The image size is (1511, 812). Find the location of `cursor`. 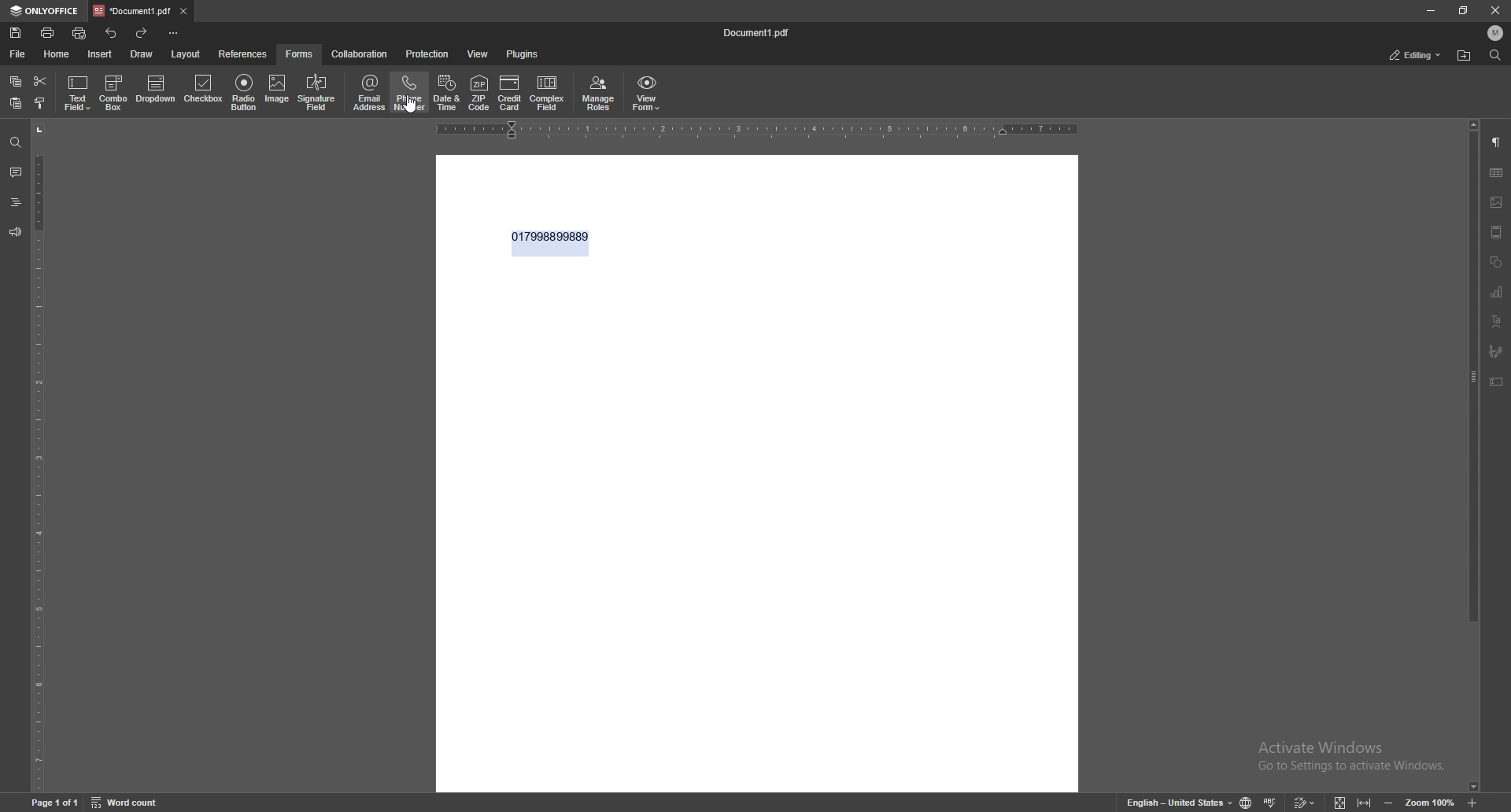

cursor is located at coordinates (410, 102).